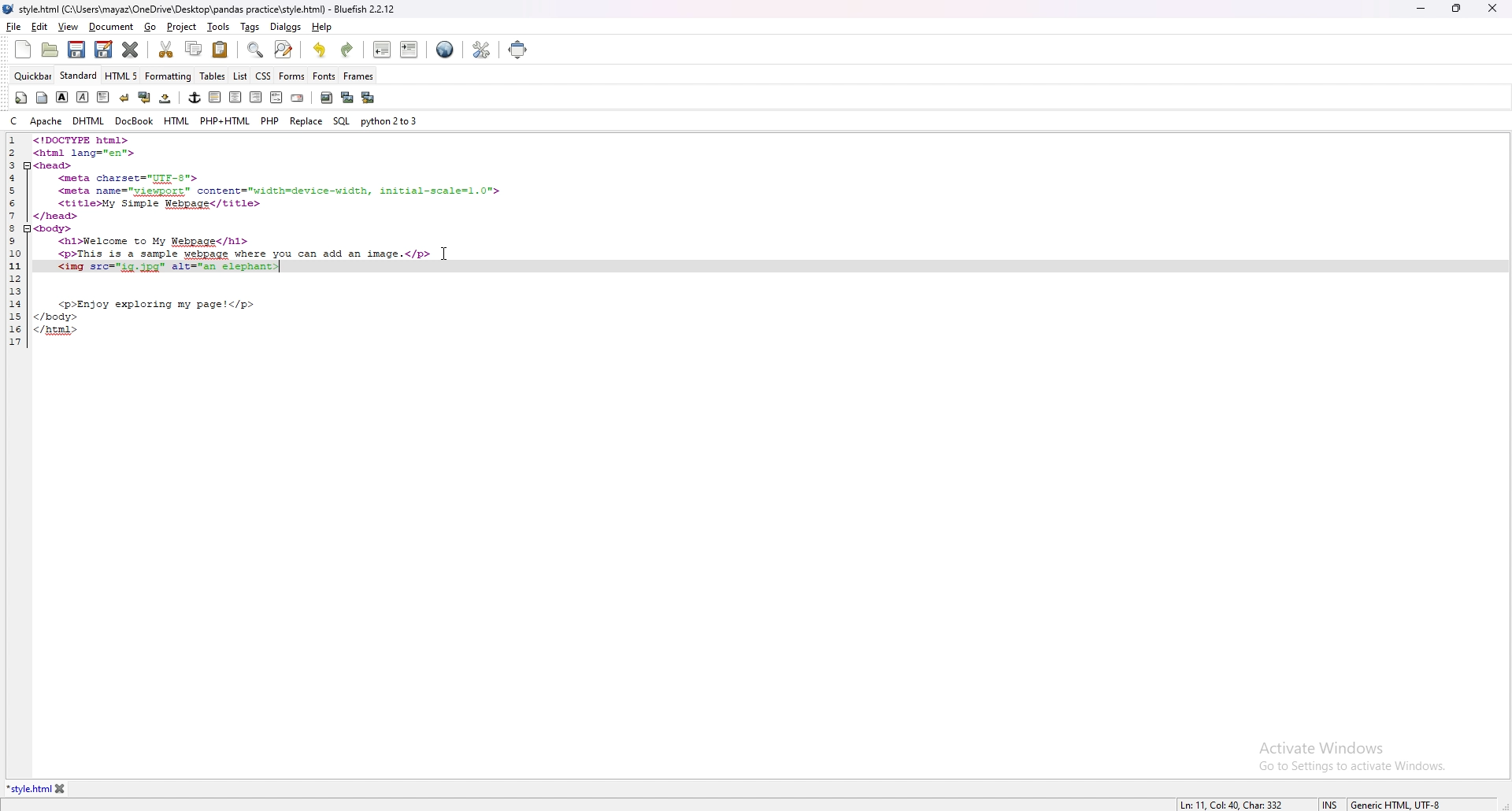 The width and height of the screenshot is (1512, 811). What do you see at coordinates (1322, 748) in the screenshot?
I see `Activate Windows` at bounding box center [1322, 748].